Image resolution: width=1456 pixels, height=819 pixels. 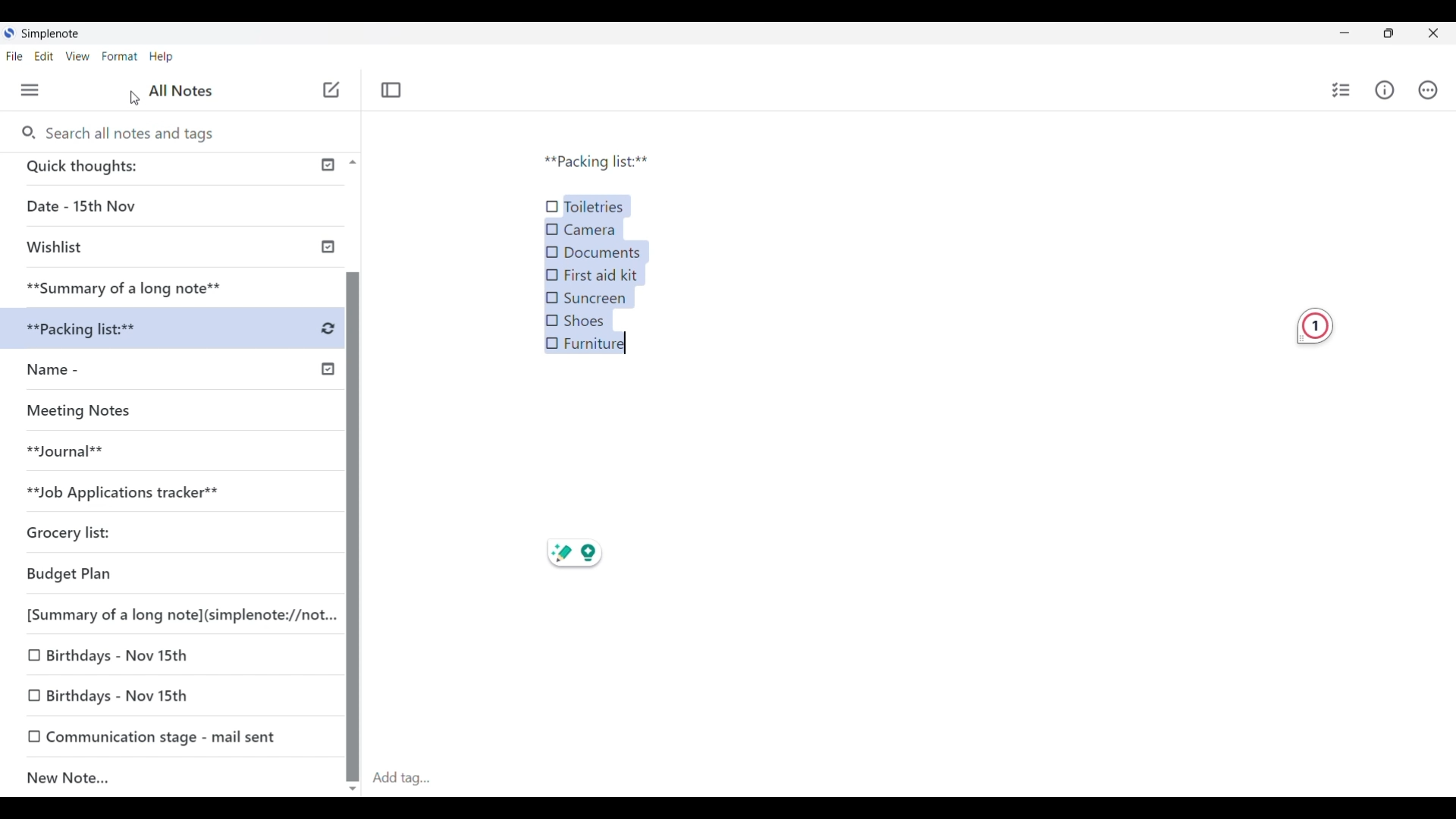 What do you see at coordinates (353, 162) in the screenshot?
I see `Quick slide to top` at bounding box center [353, 162].